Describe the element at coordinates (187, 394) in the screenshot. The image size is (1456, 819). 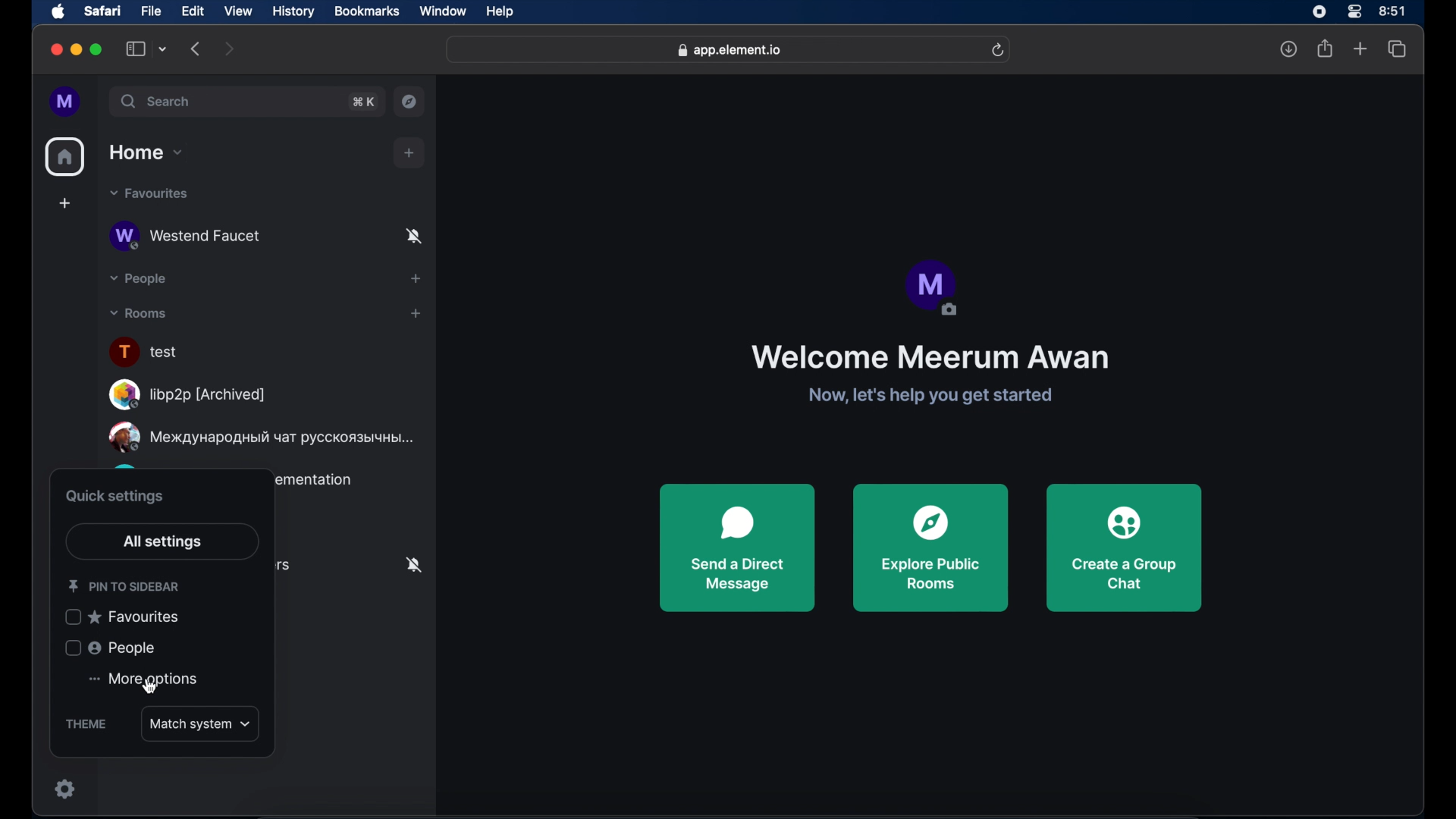
I see `libp2p [Archived]` at that location.